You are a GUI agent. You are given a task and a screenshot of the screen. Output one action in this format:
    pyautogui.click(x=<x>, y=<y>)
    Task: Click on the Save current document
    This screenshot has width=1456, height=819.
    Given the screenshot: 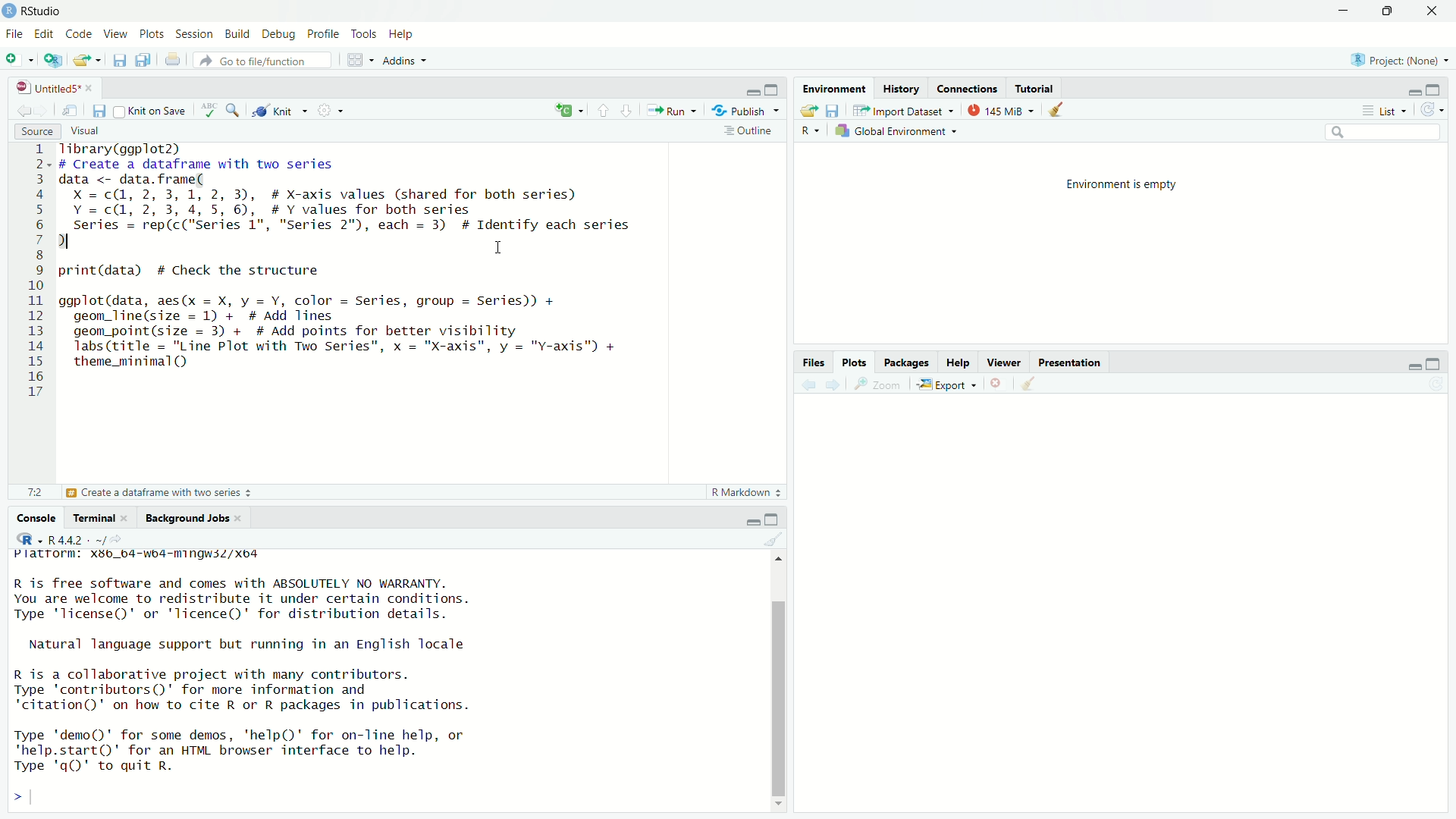 What is the action you would take?
    pyautogui.click(x=99, y=111)
    